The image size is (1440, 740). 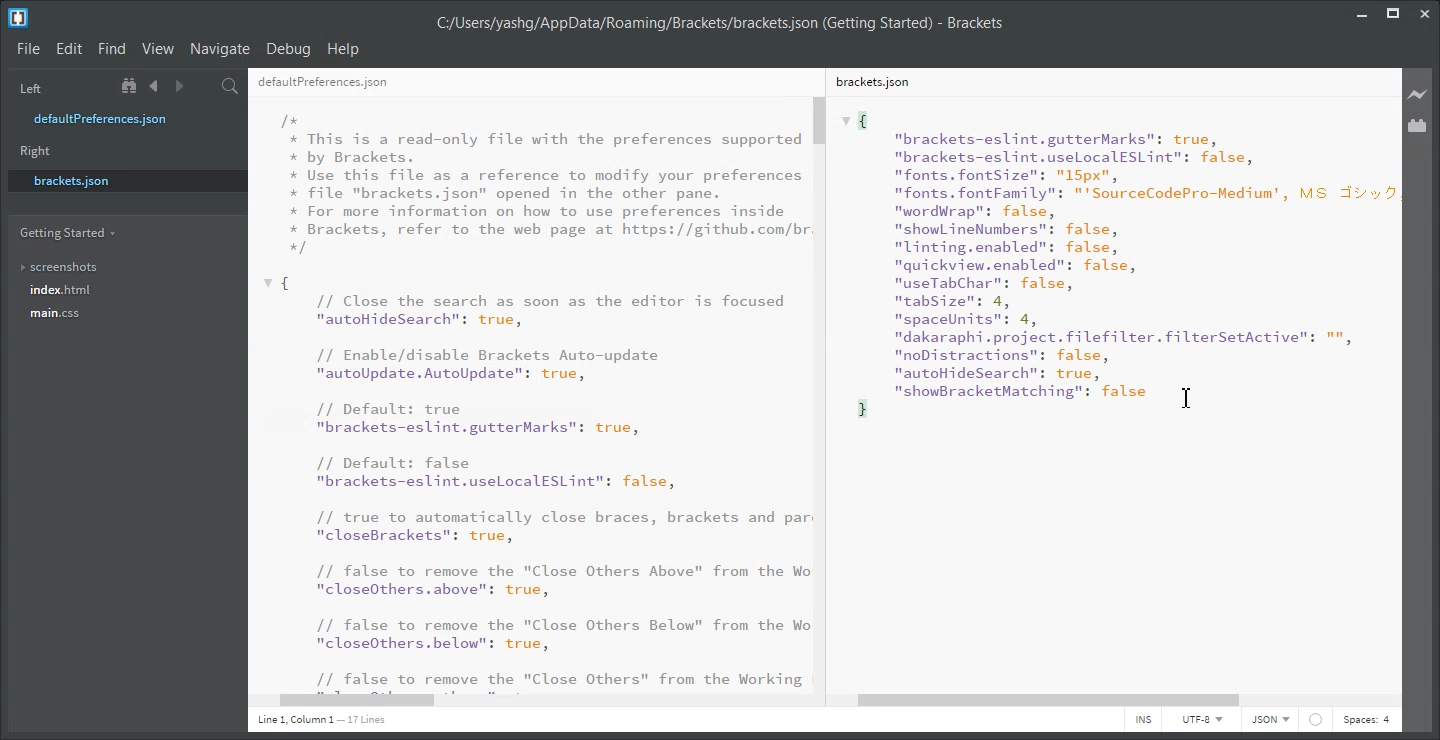 What do you see at coordinates (61, 290) in the screenshot?
I see `index.html` at bounding box center [61, 290].